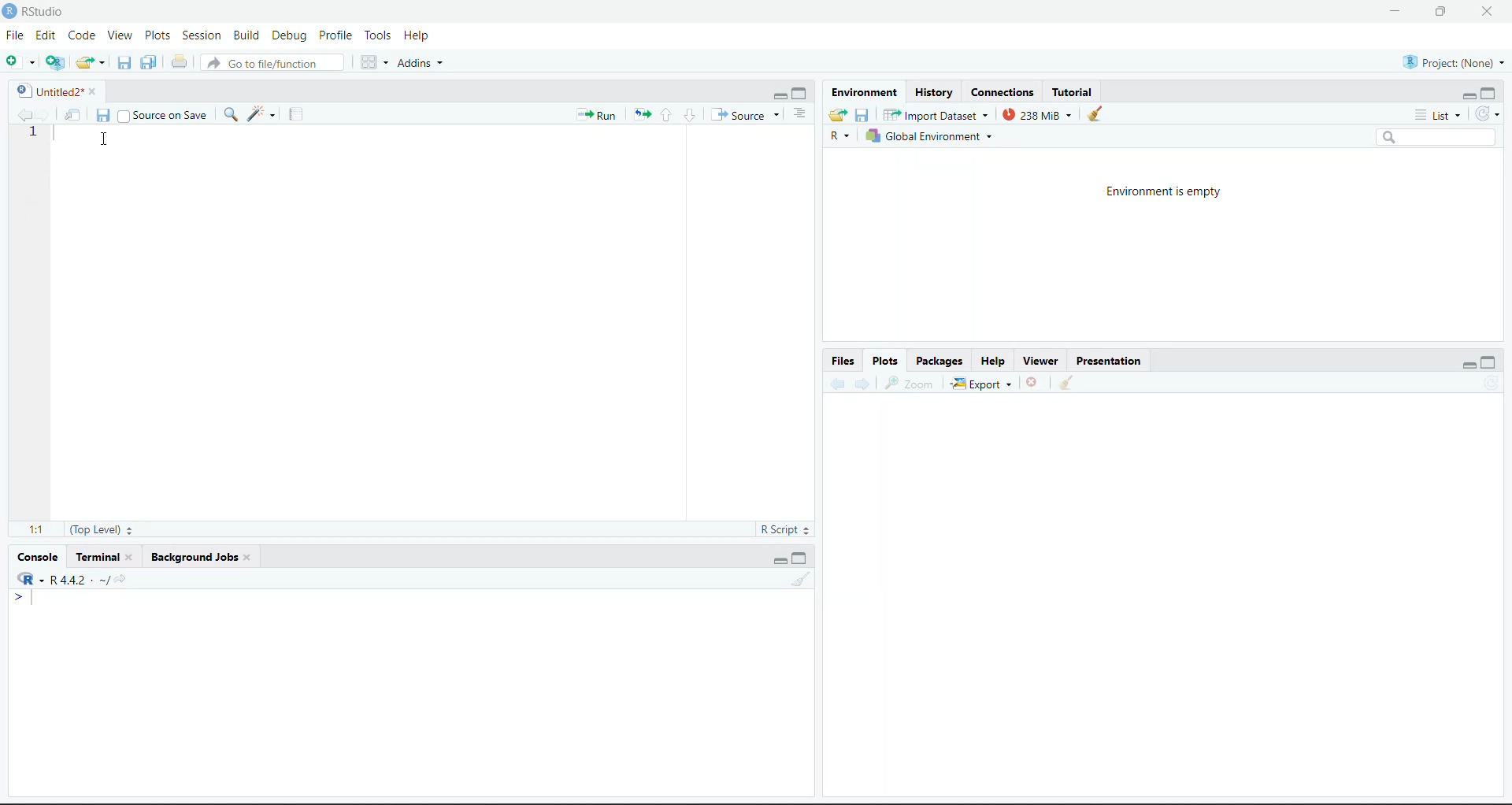  I want to click on options, so click(800, 114).